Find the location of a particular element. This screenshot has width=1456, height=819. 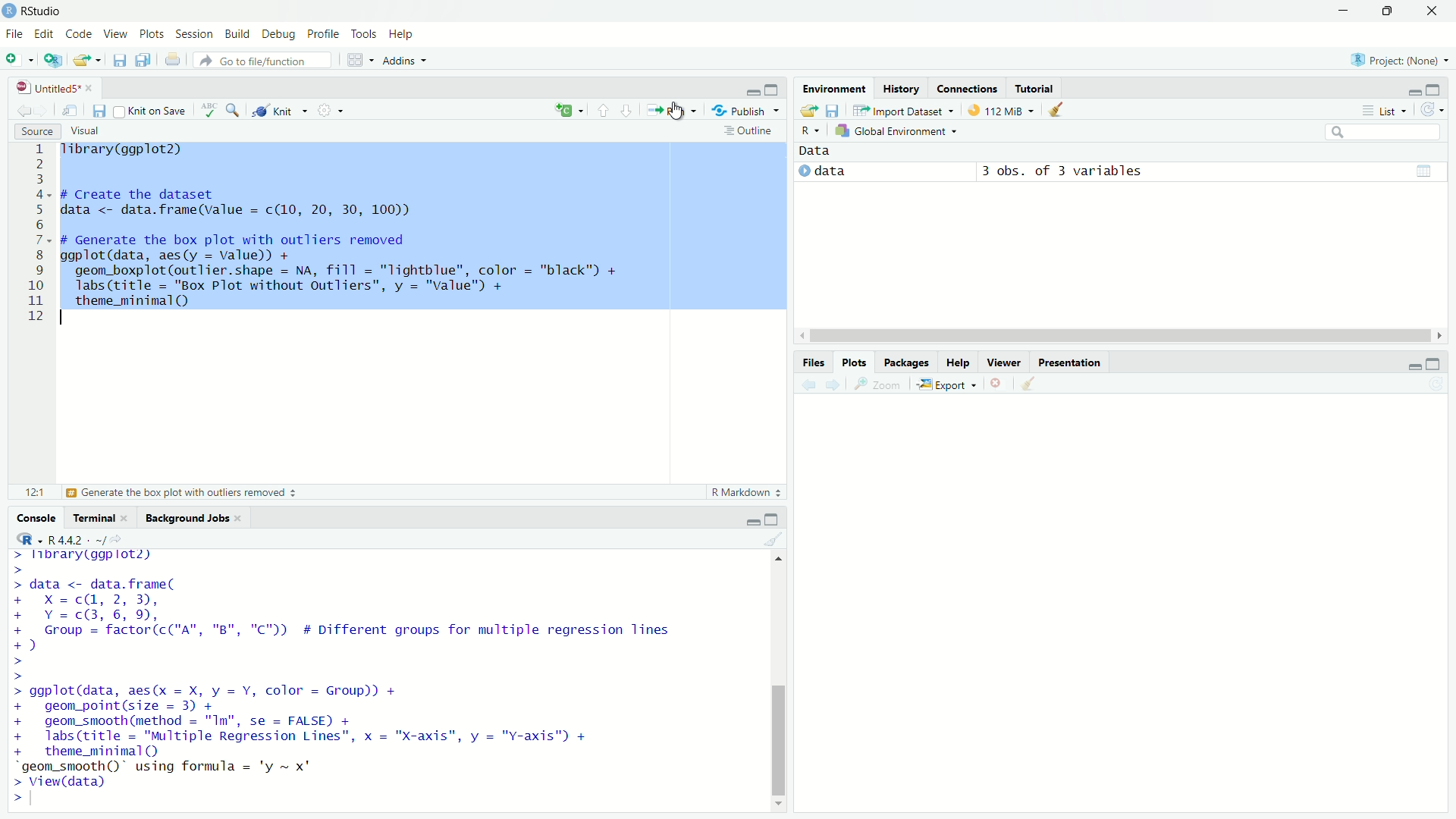

+ Addins ~ is located at coordinates (400, 59).